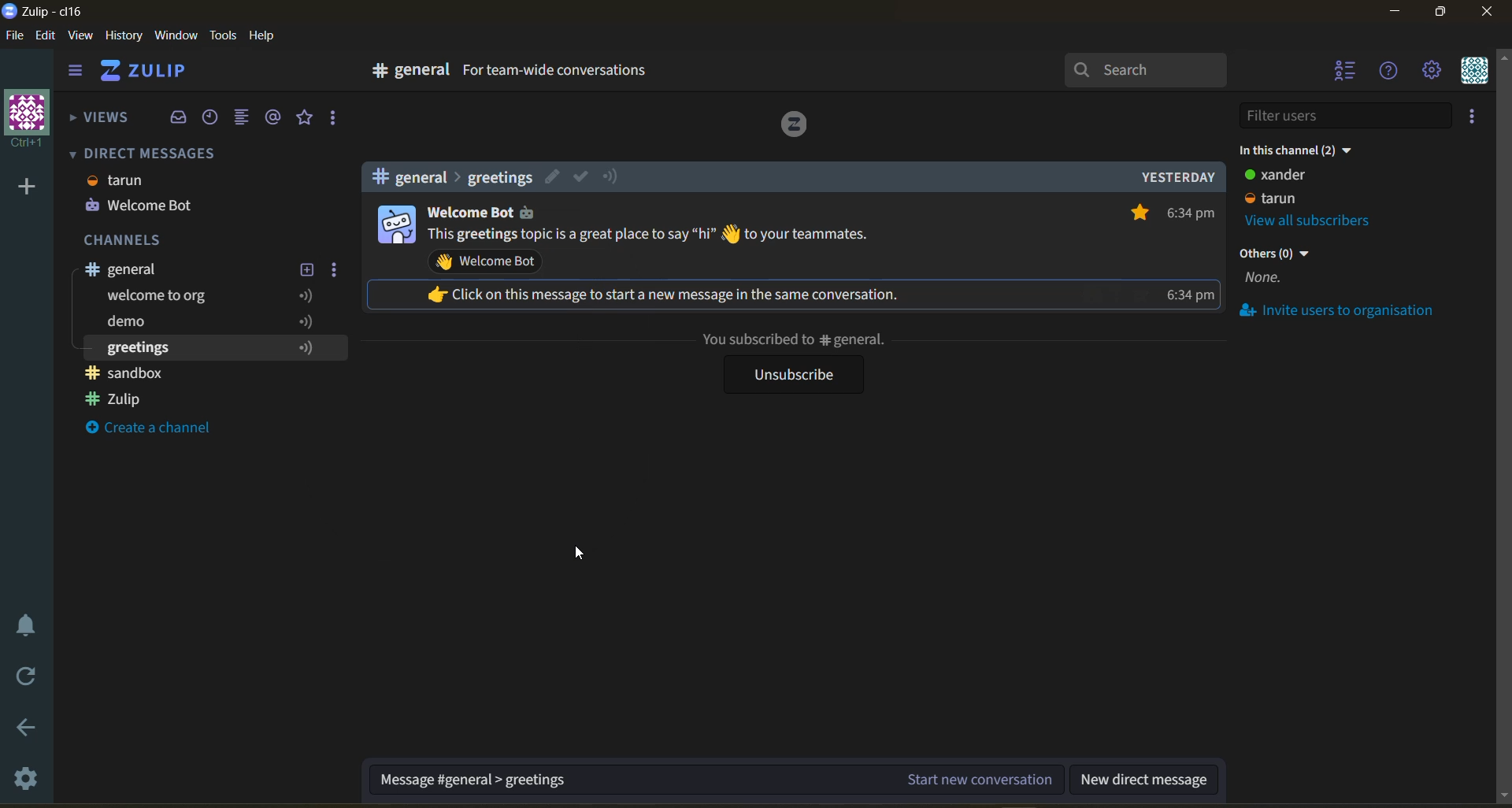 This screenshot has height=808, width=1512. I want to click on organisation name and profile pic, so click(24, 119).